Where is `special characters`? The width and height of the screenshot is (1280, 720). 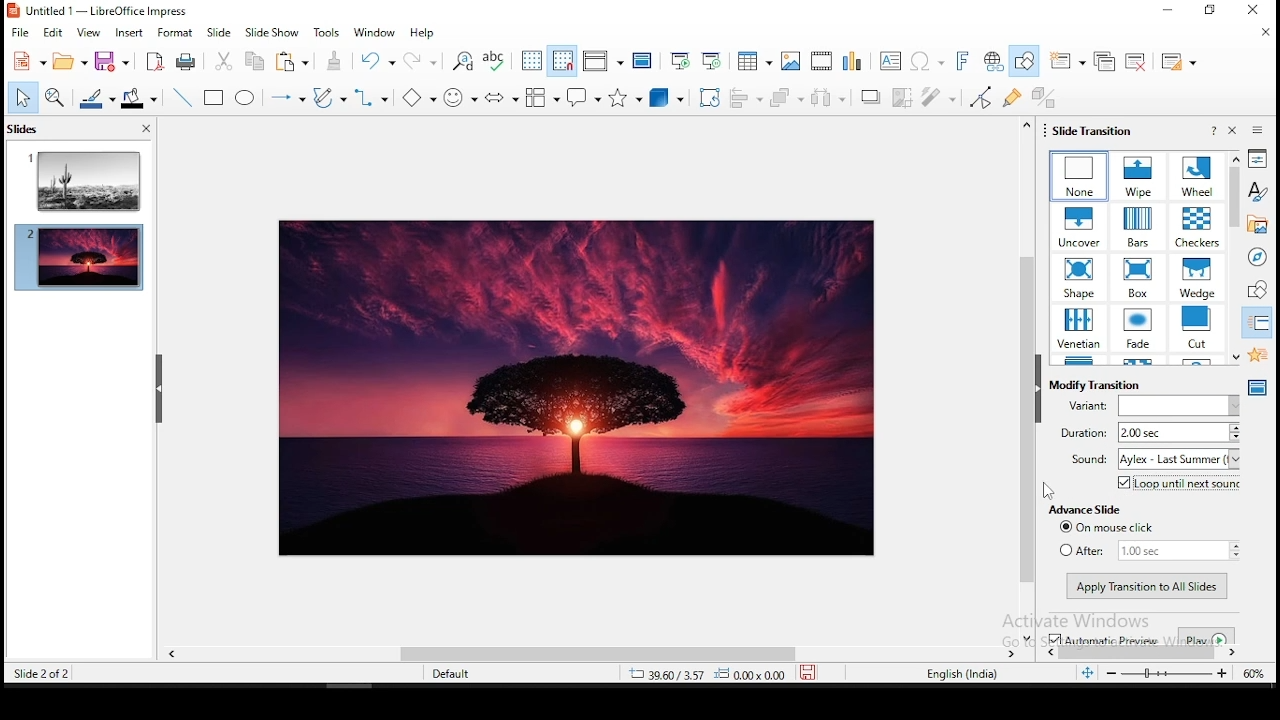 special characters is located at coordinates (926, 62).